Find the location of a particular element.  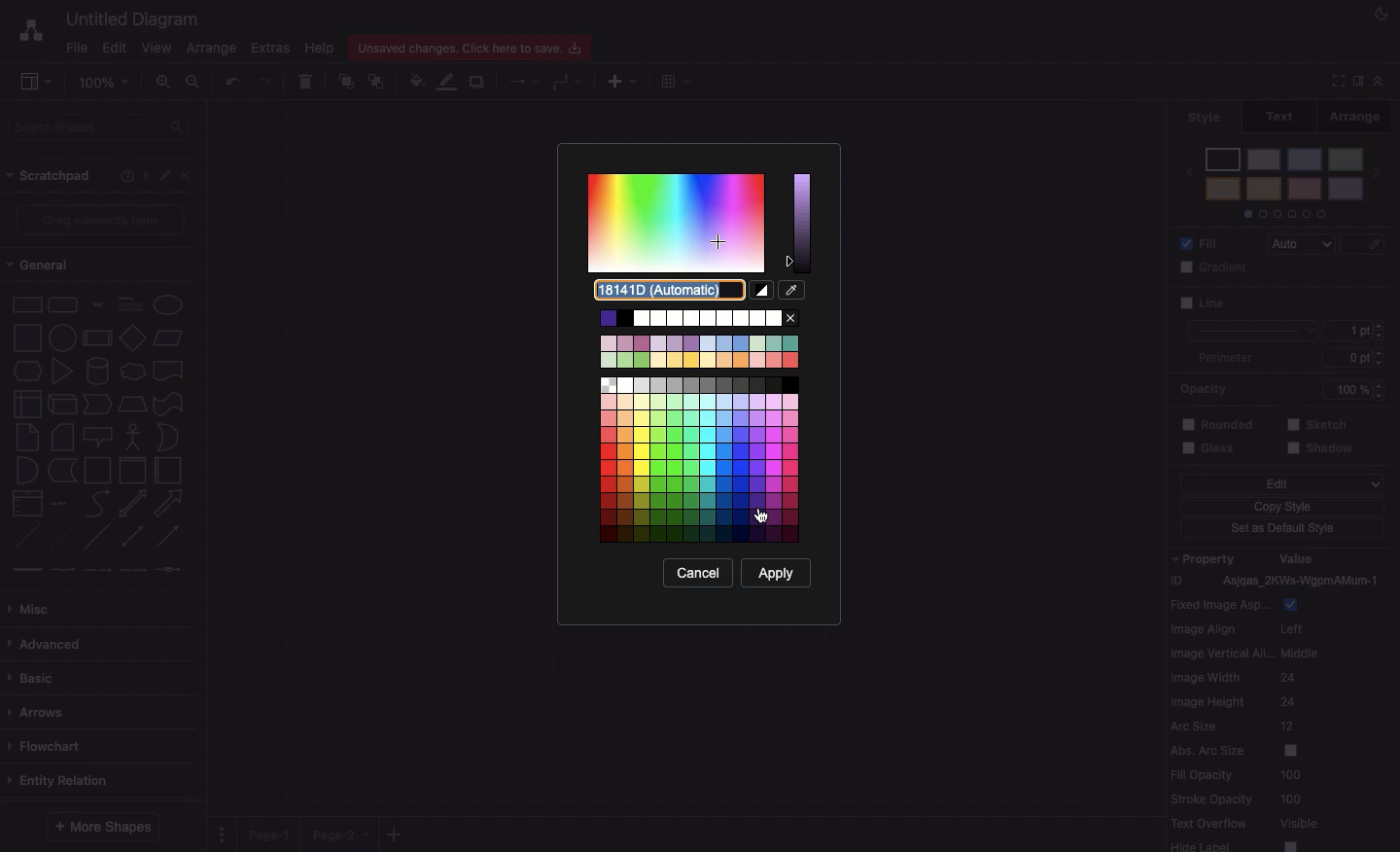

list is located at coordinates (24, 504).